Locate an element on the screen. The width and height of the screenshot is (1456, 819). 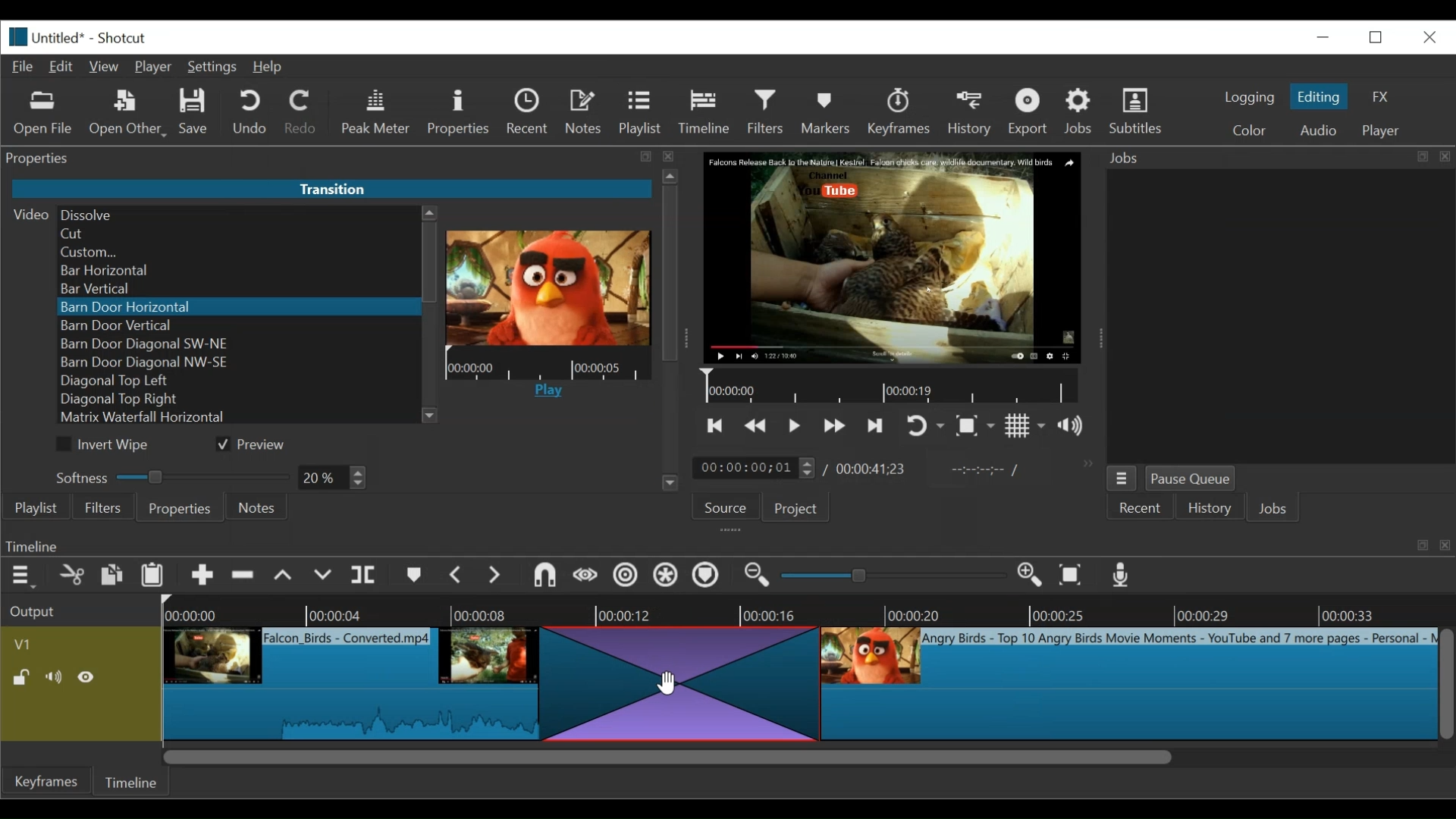
Media Viewer is located at coordinates (891, 257).